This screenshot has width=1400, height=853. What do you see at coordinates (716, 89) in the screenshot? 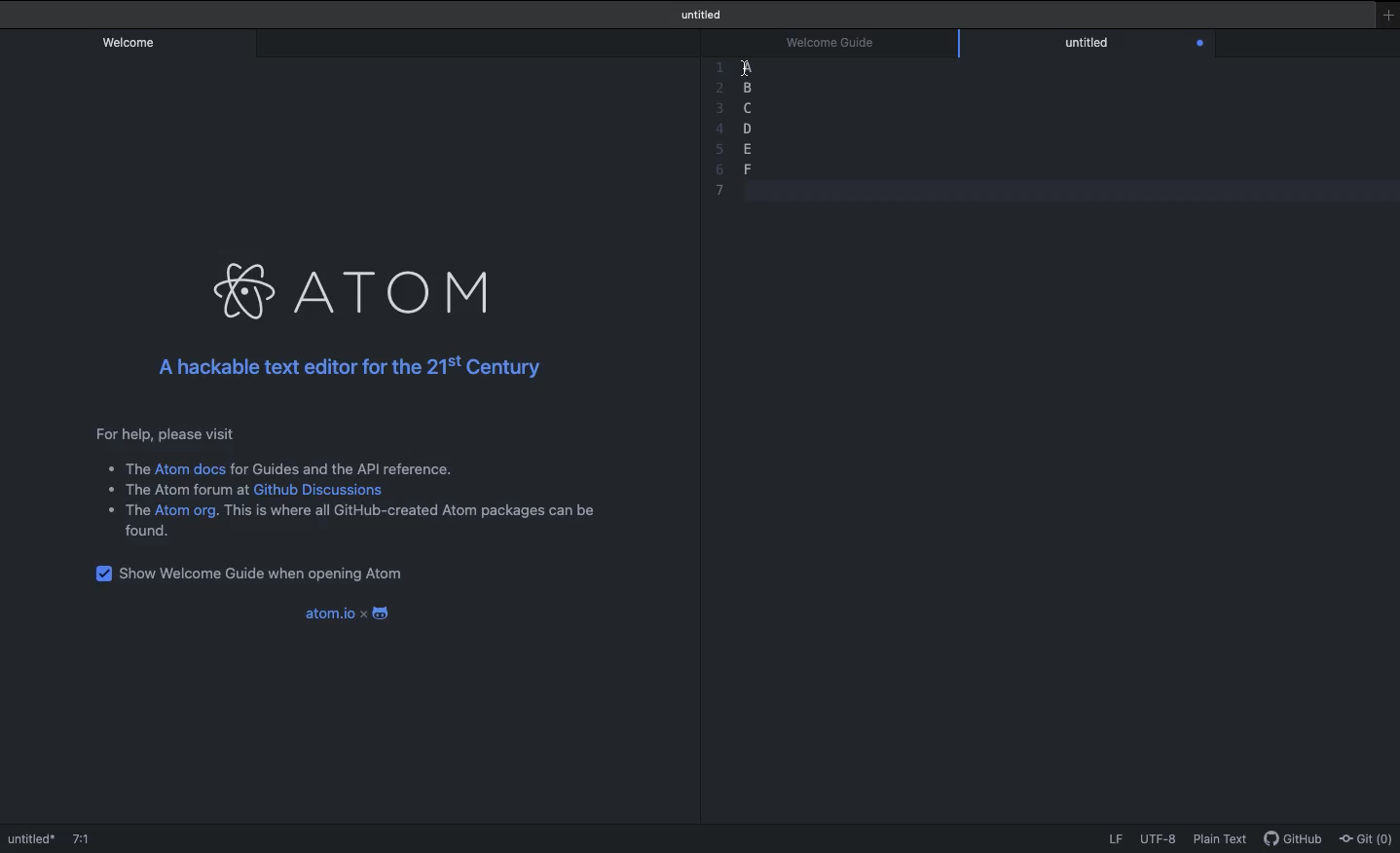
I see `` at bounding box center [716, 89].